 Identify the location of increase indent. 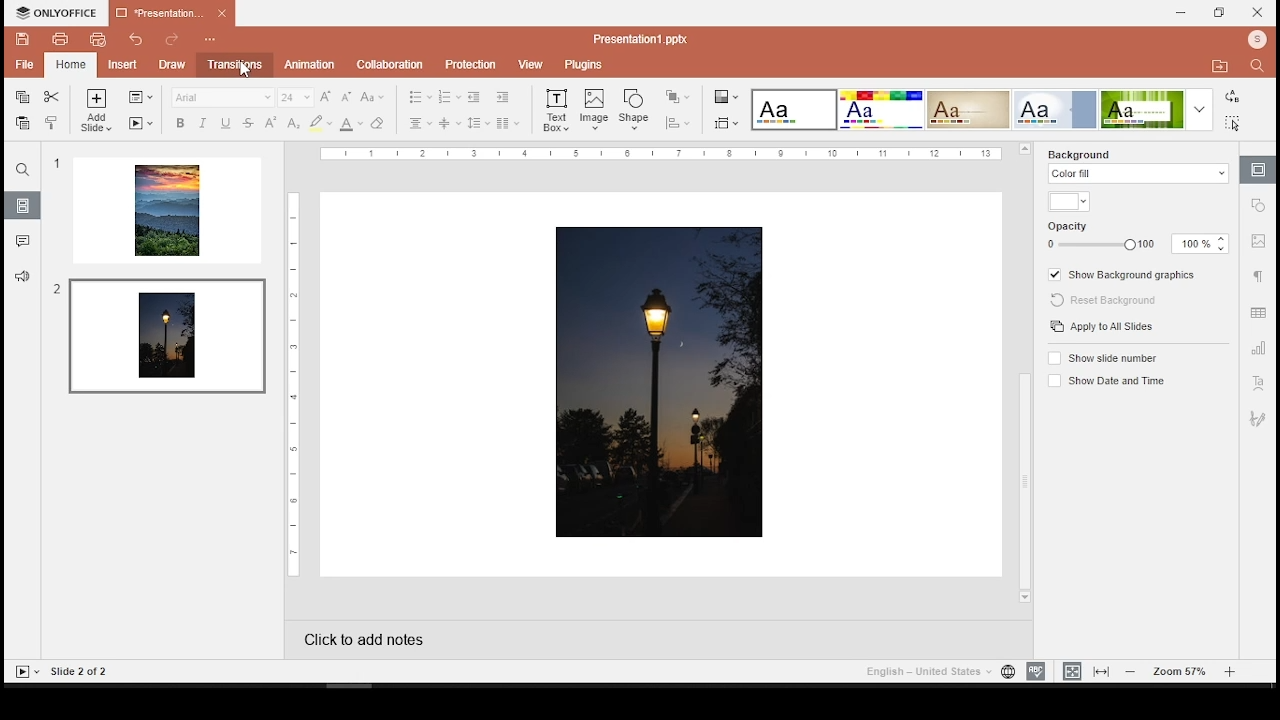
(503, 97).